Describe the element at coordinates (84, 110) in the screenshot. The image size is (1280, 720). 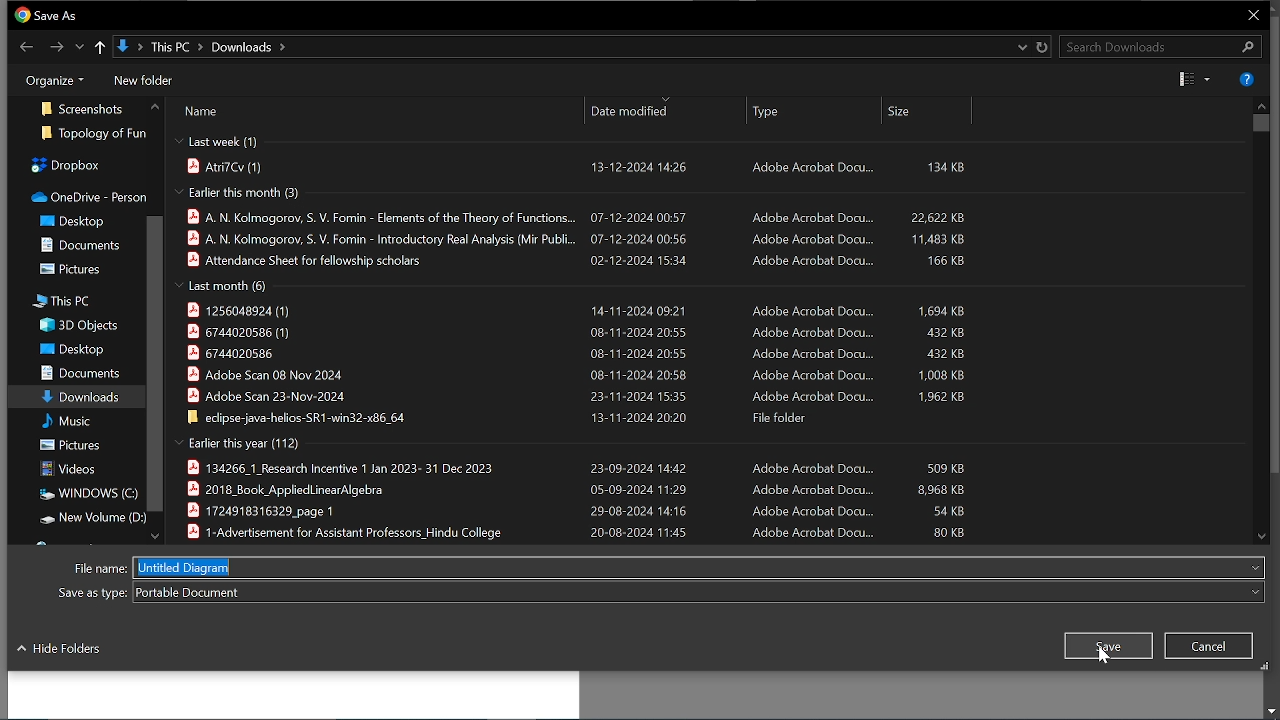
I see `screenshots` at that location.